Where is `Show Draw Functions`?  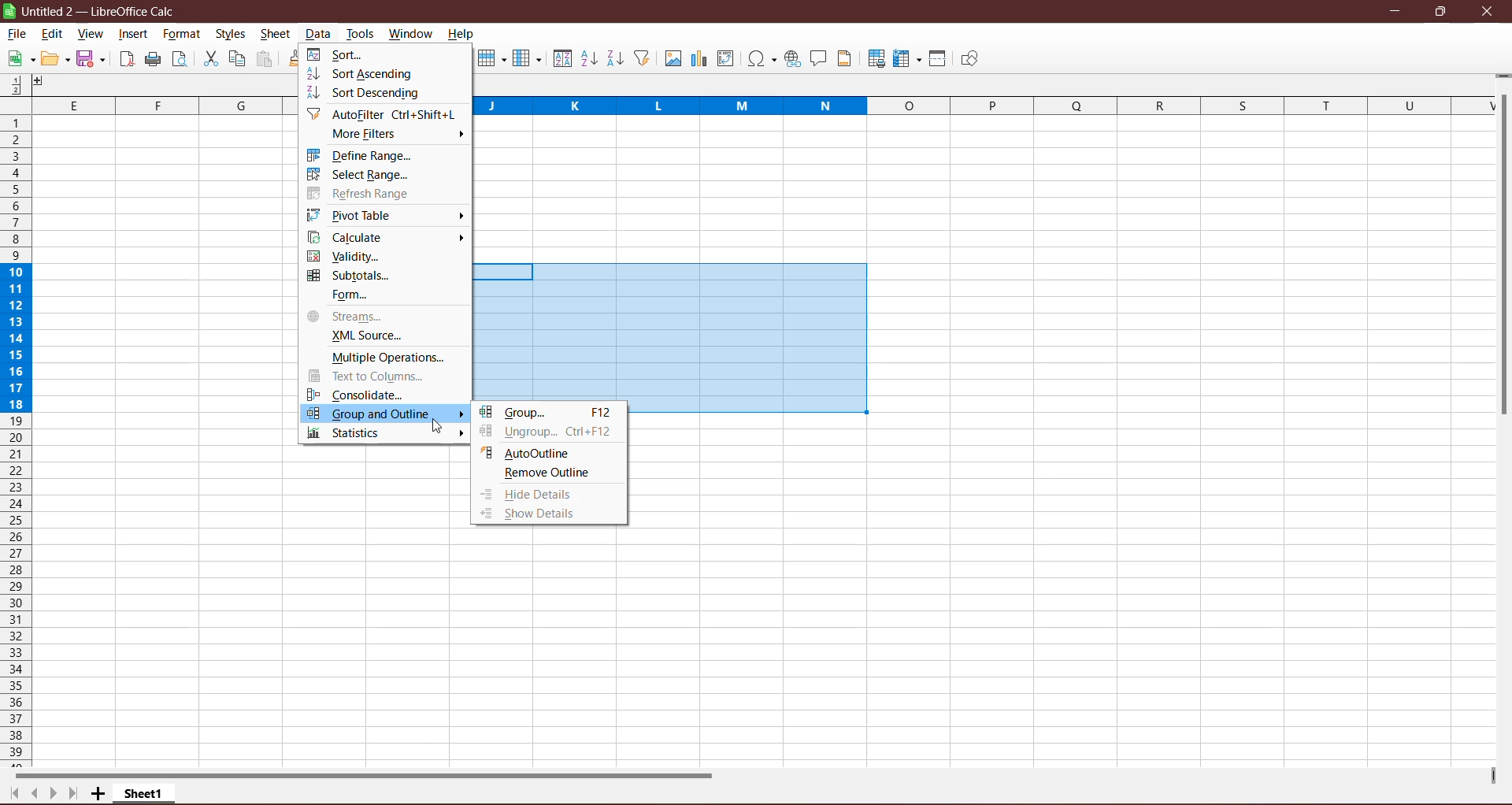 Show Draw Functions is located at coordinates (969, 59).